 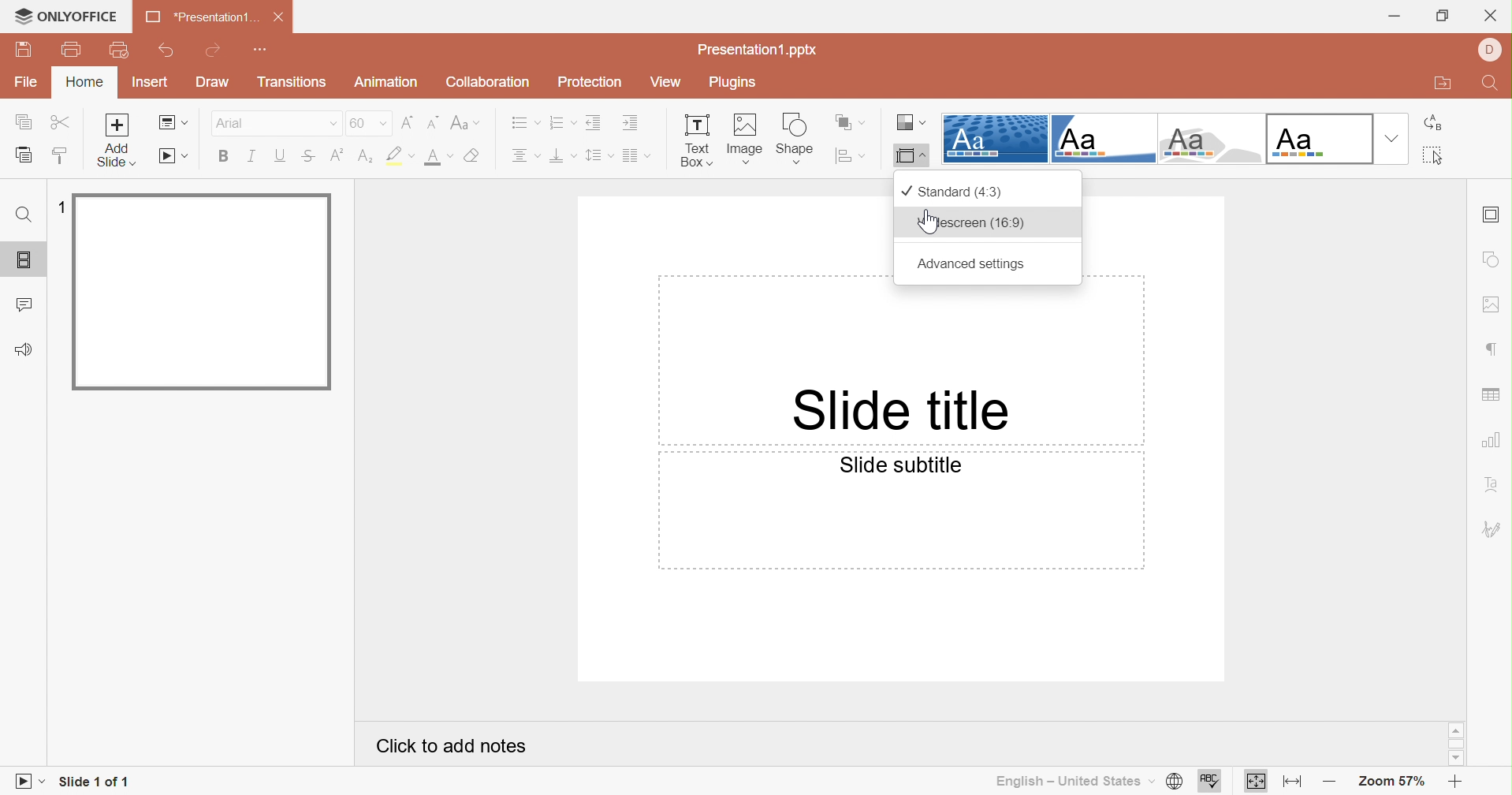 What do you see at coordinates (594, 123) in the screenshot?
I see `Decrease indent` at bounding box center [594, 123].